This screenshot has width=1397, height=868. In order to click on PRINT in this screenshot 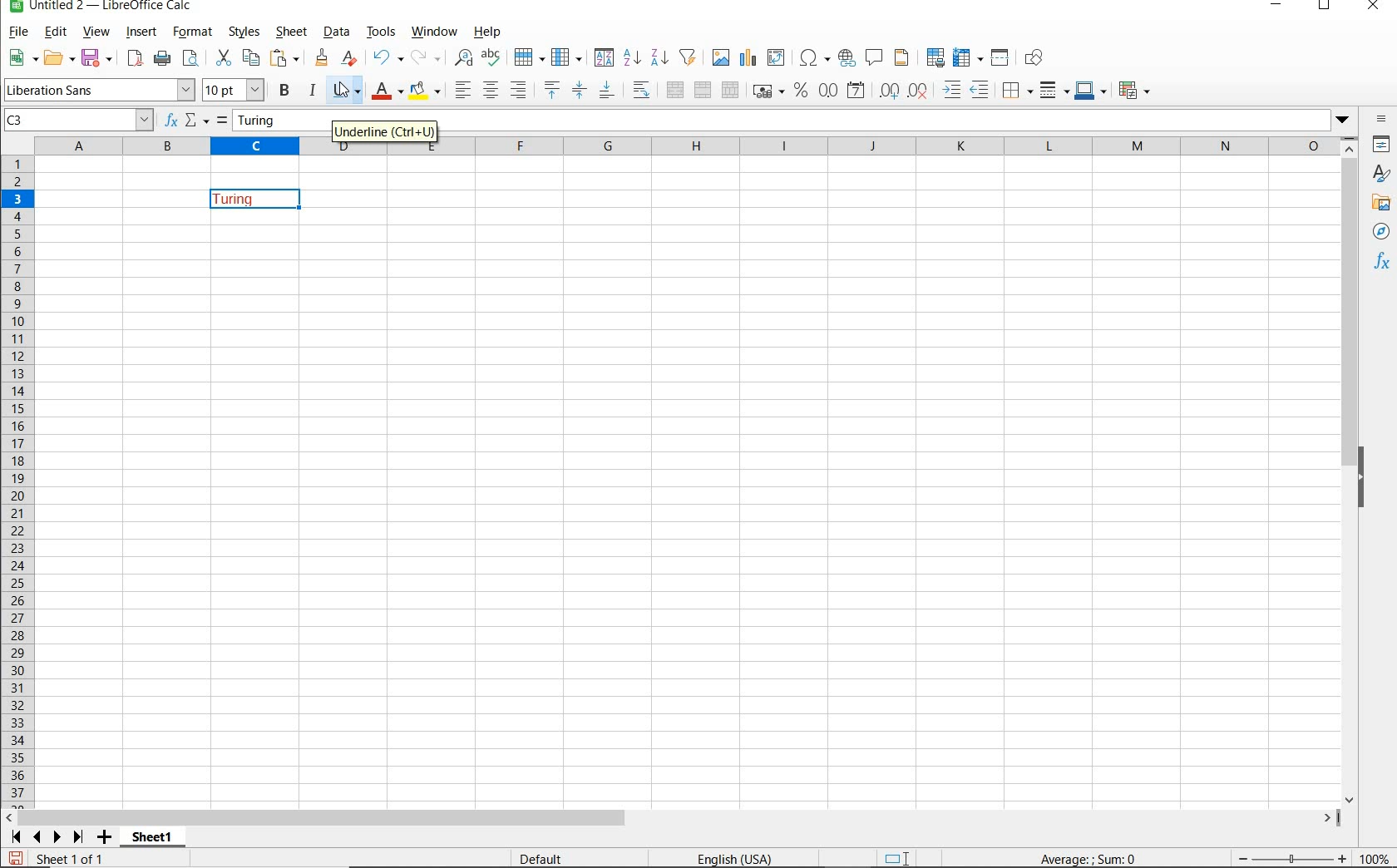, I will do `click(164, 58)`.